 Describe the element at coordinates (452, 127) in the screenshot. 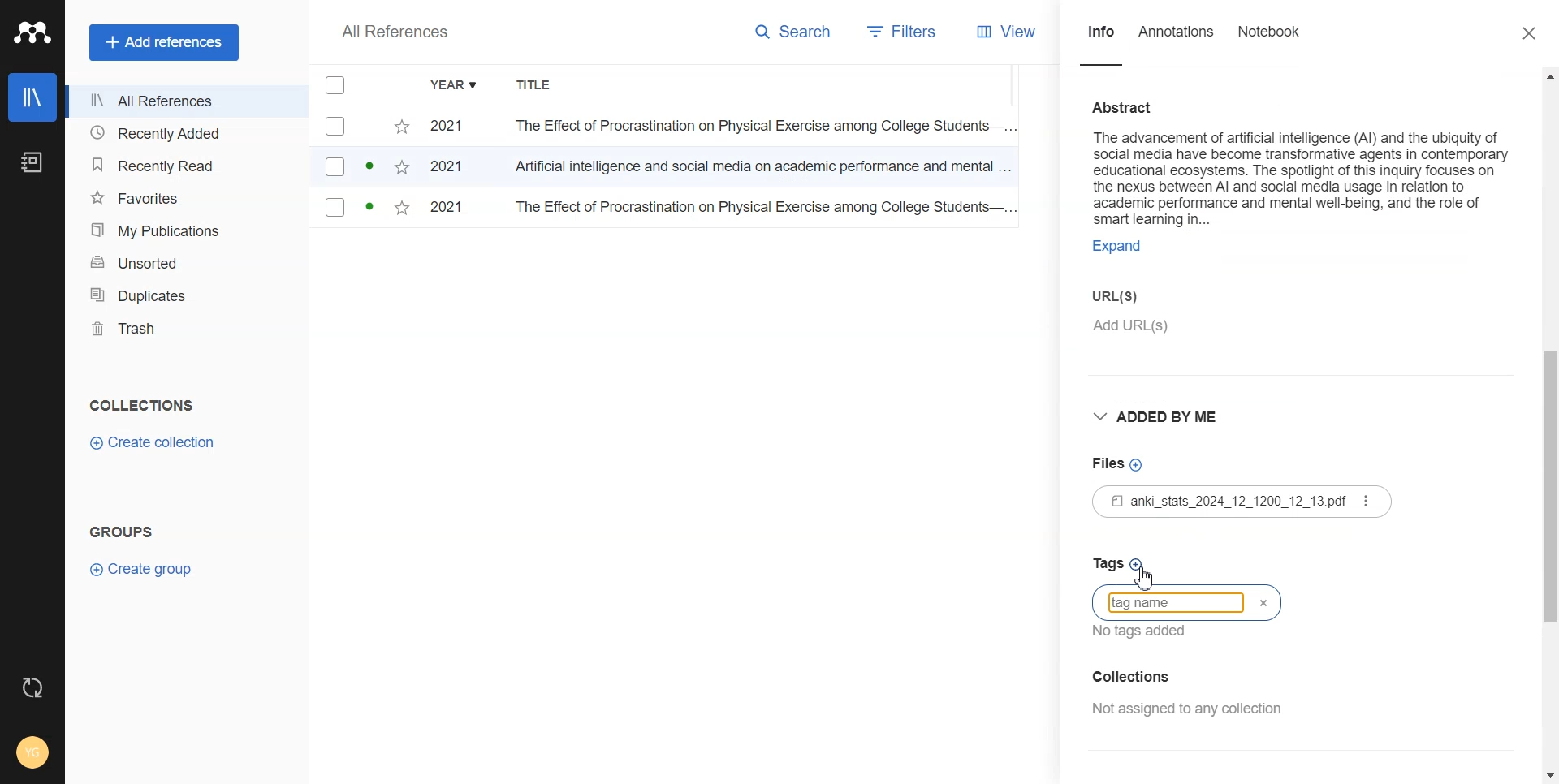

I see `2021` at that location.